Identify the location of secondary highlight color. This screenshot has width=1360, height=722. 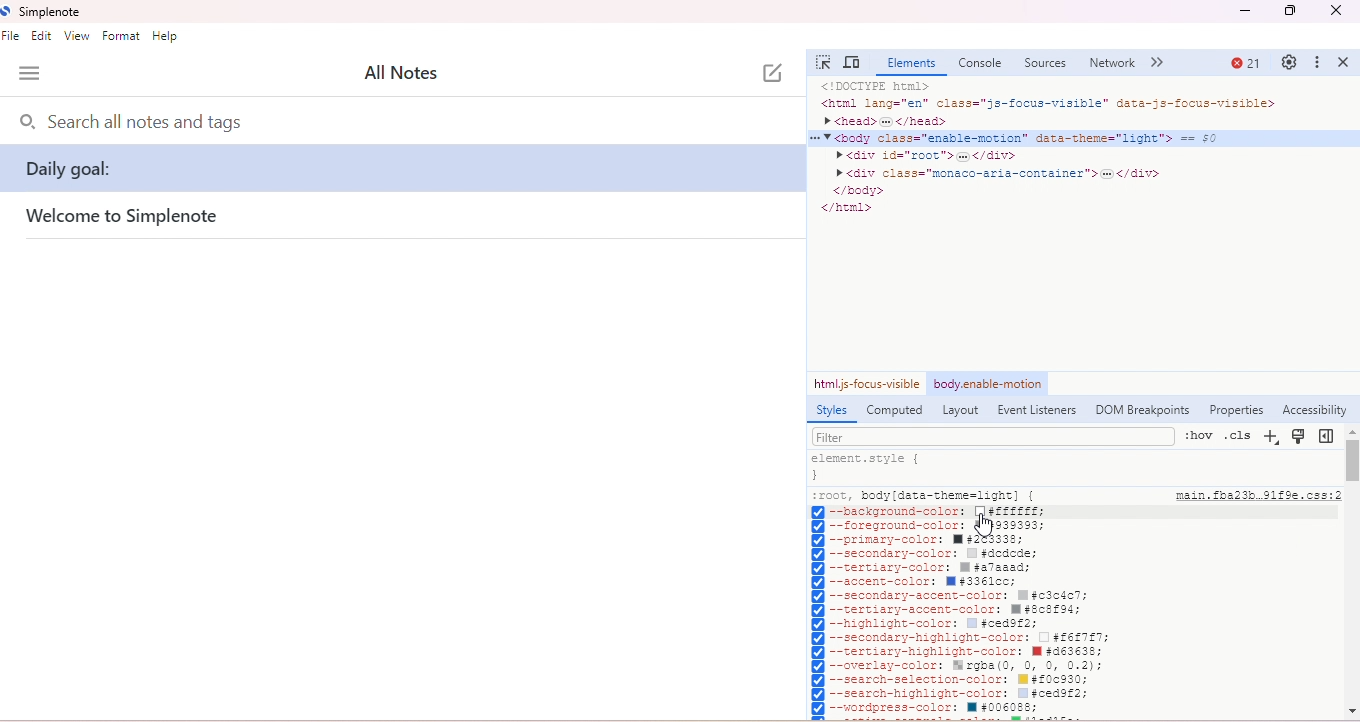
(958, 638).